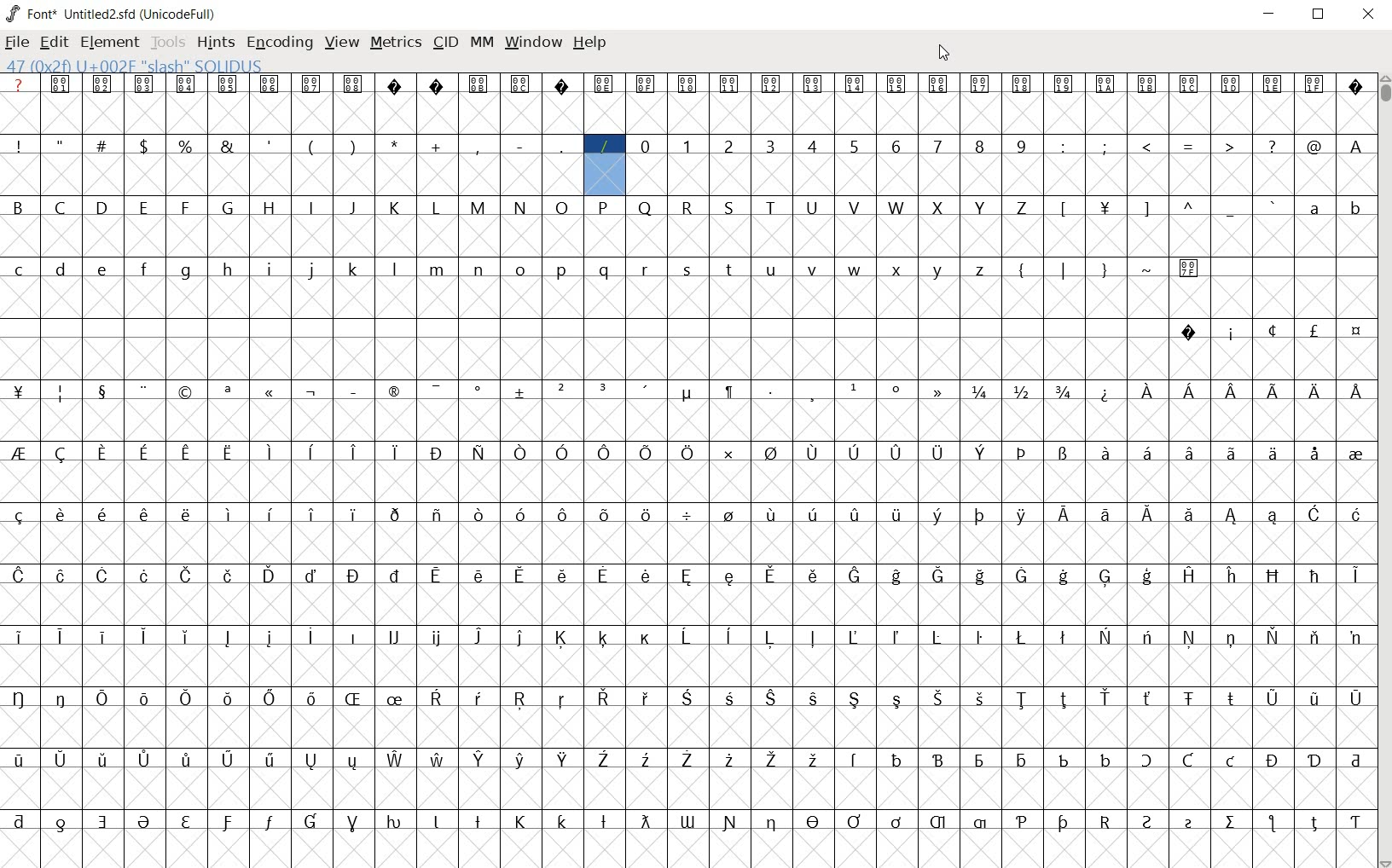  What do you see at coordinates (688, 394) in the screenshot?
I see `glyph` at bounding box center [688, 394].